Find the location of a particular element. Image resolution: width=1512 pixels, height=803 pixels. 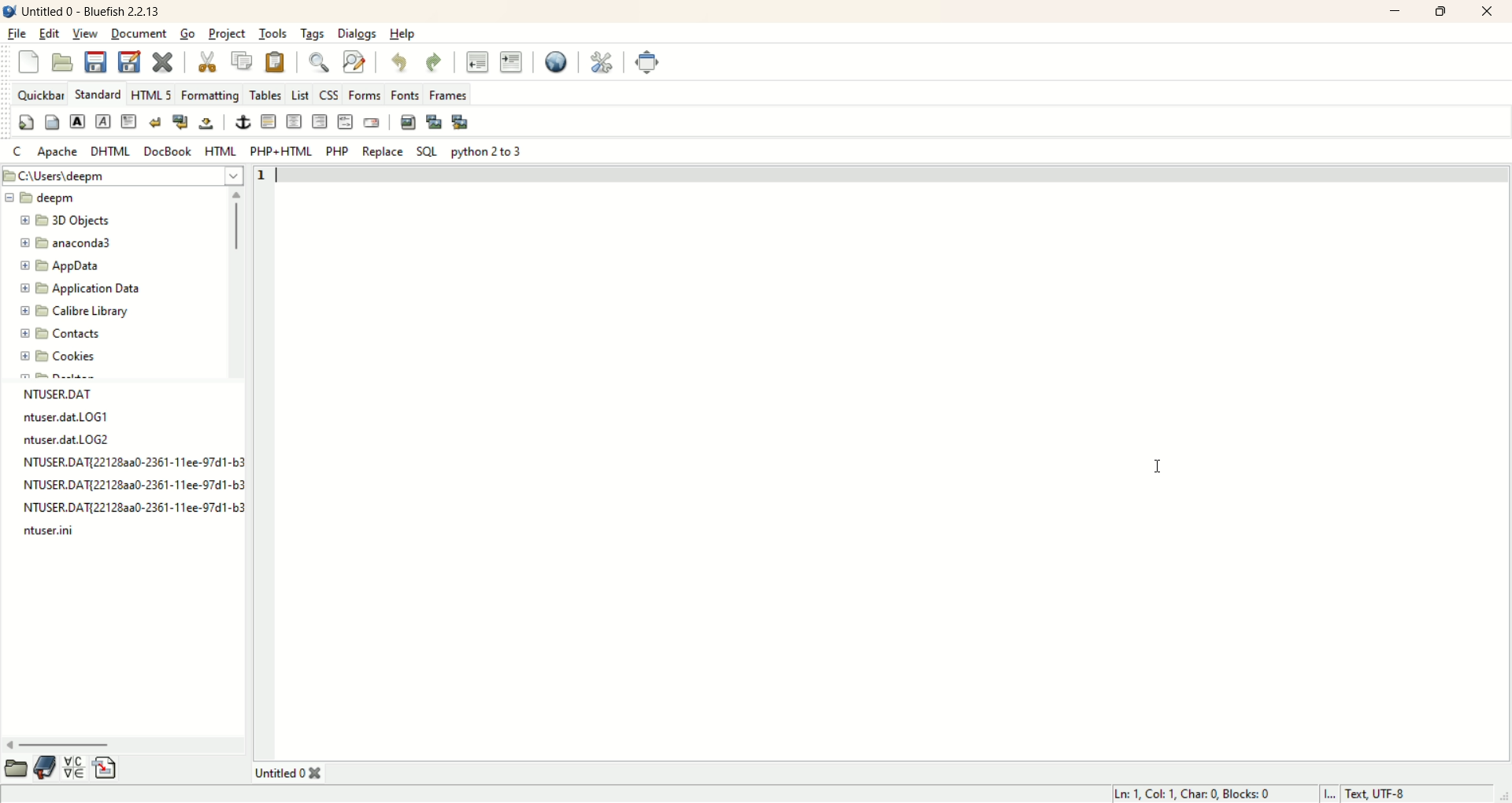

line number is located at coordinates (269, 176).